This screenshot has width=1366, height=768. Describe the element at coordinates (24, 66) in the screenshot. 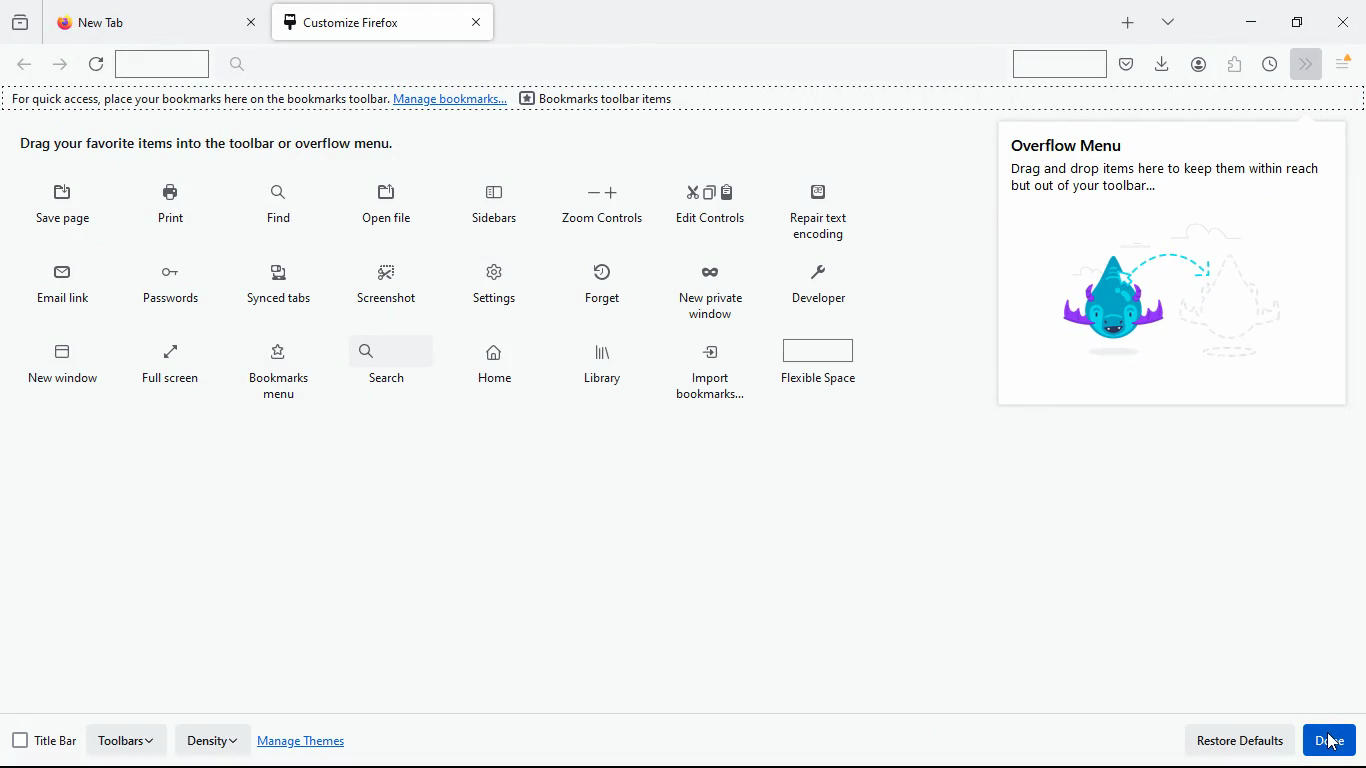

I see `back` at that location.